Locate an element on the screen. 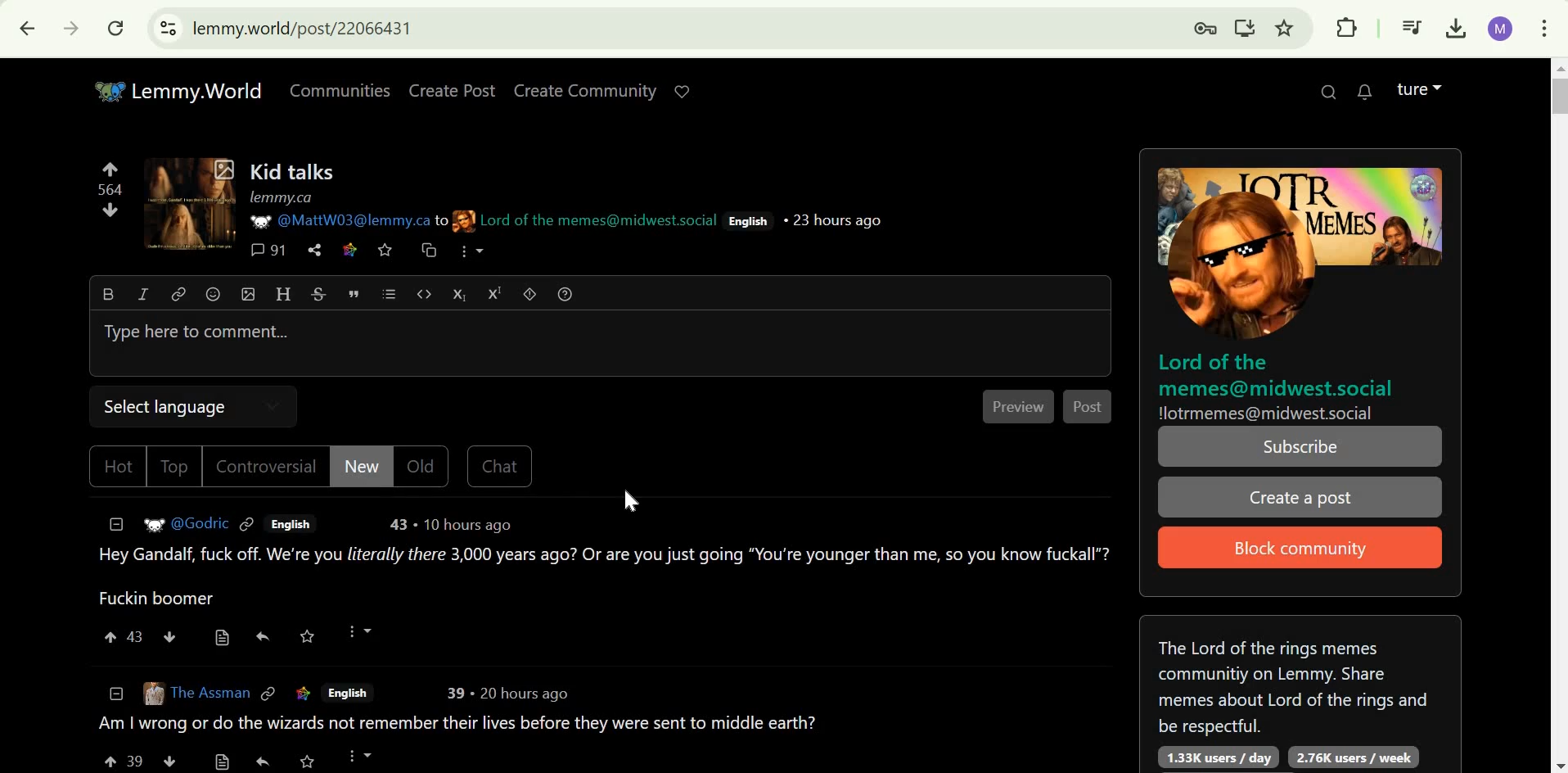  Lemmy Account is located at coordinates (1419, 88).